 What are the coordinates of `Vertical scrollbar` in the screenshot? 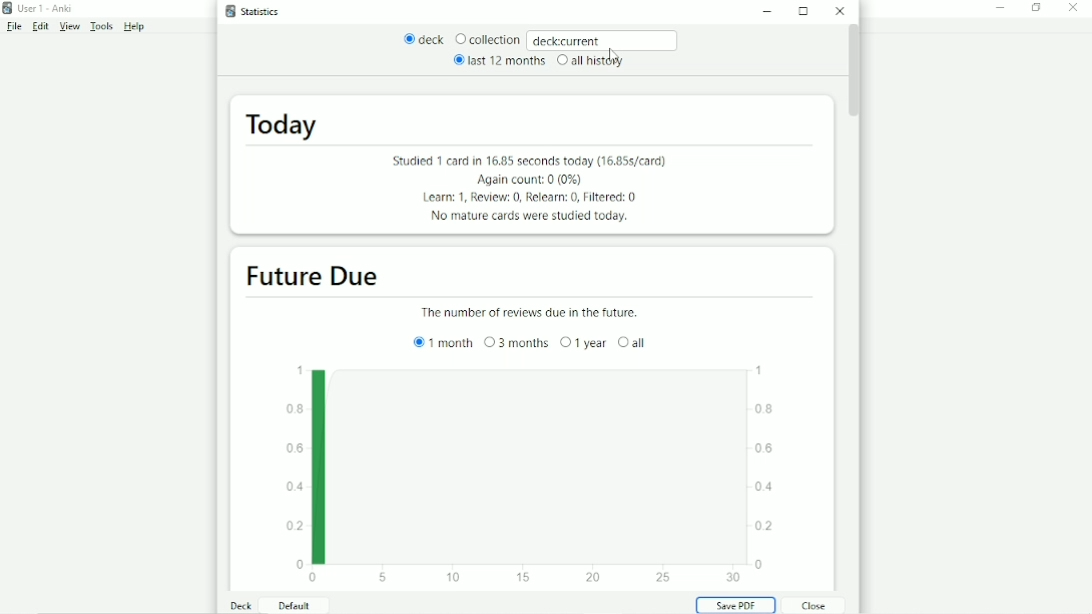 It's located at (853, 74).